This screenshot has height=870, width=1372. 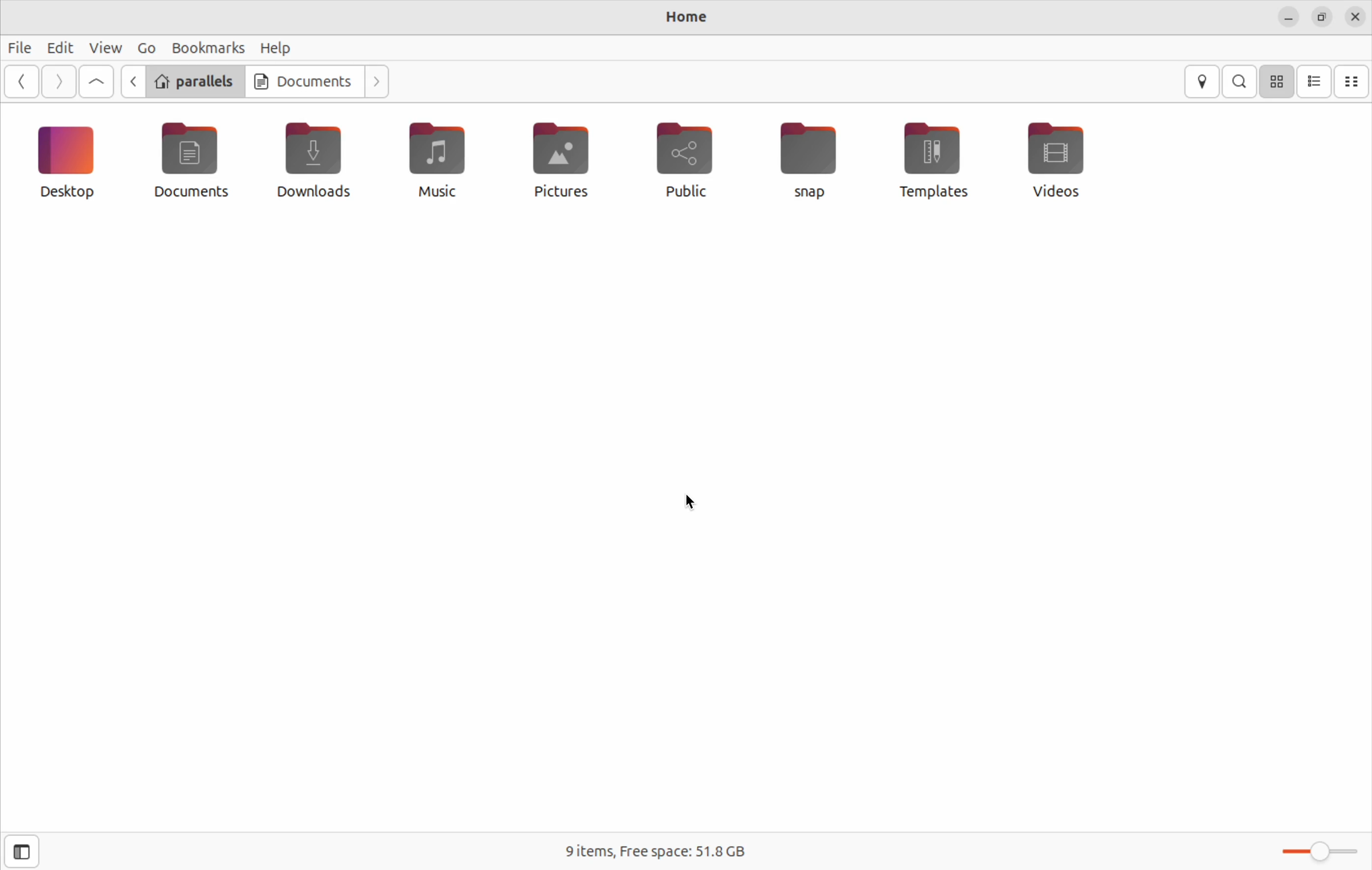 I want to click on documents, so click(x=198, y=163).